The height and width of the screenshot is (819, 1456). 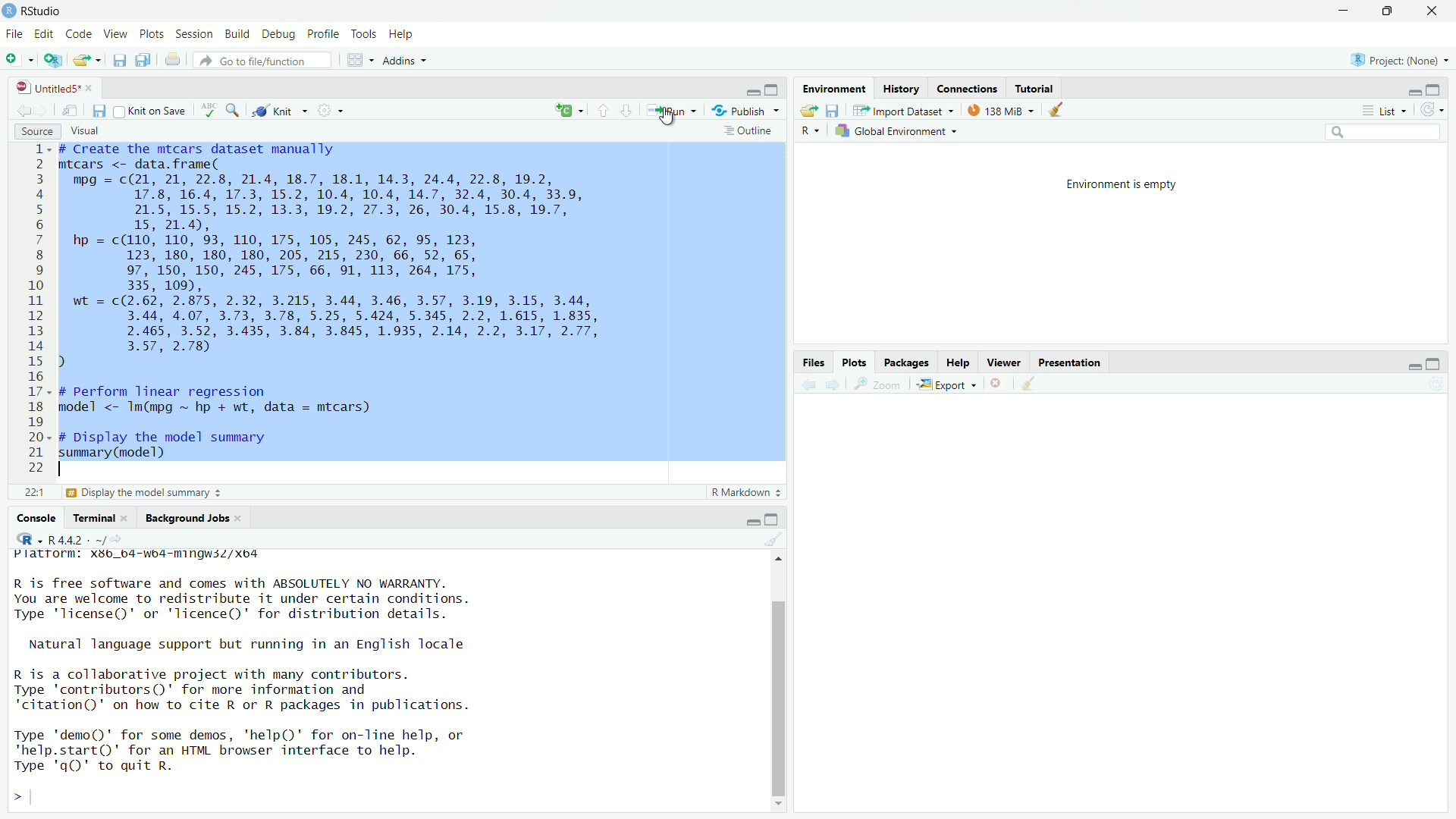 I want to click on scroll bar, so click(x=780, y=699).